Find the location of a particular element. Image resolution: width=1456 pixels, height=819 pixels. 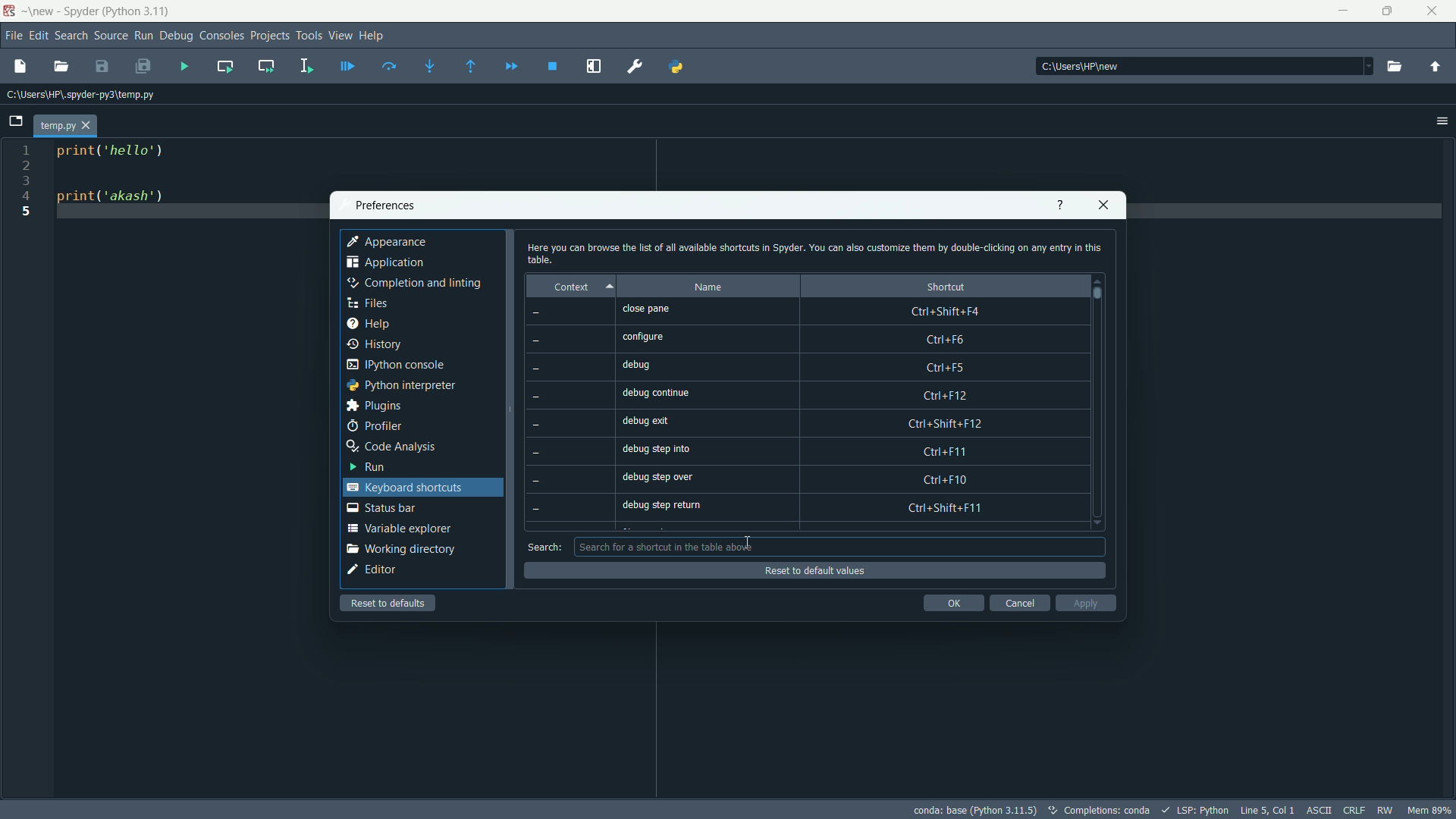

profiler is located at coordinates (375, 424).